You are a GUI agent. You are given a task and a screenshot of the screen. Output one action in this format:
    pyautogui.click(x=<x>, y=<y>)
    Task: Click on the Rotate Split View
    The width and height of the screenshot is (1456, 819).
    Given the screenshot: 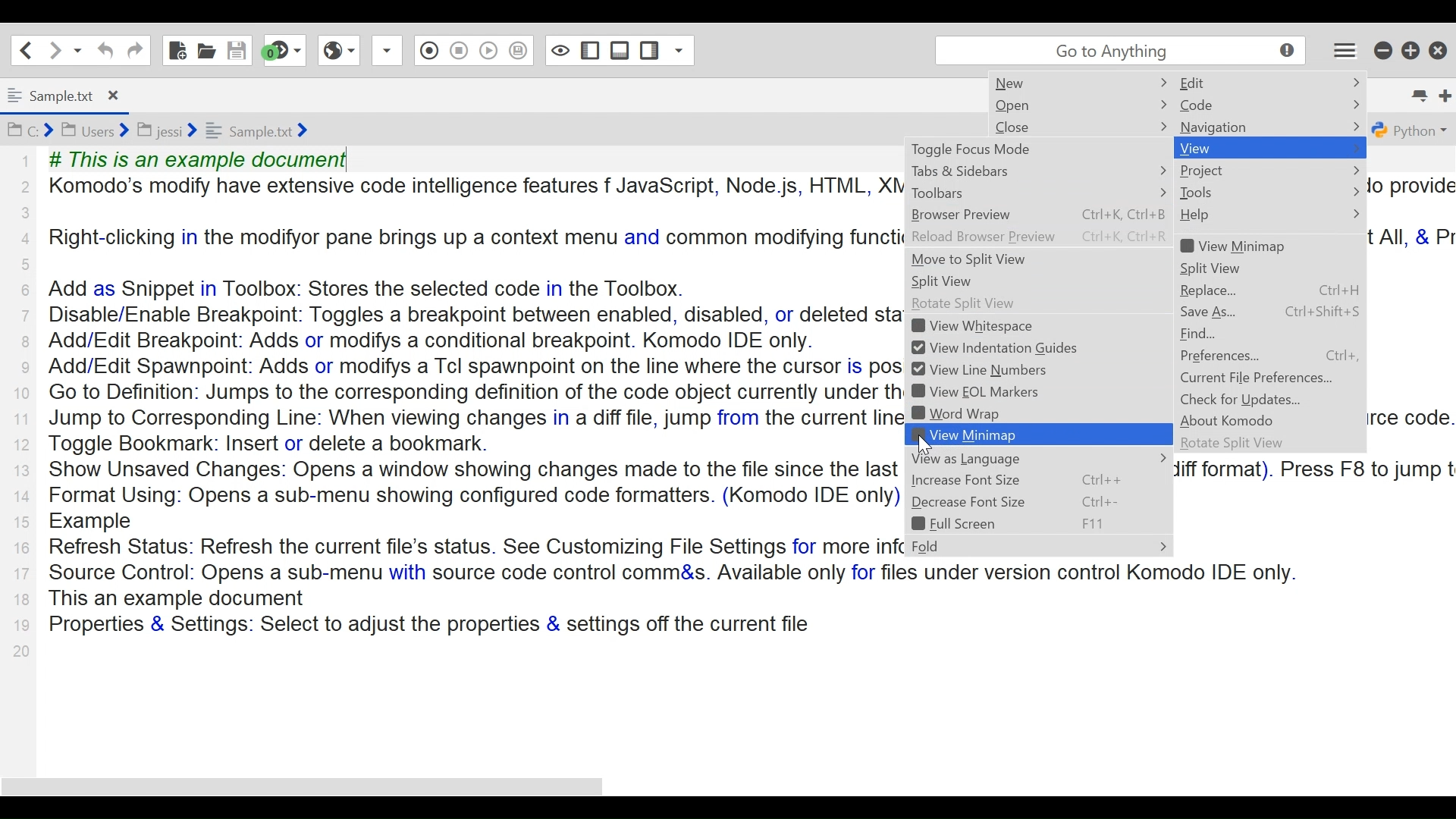 What is the action you would take?
    pyautogui.click(x=1037, y=304)
    